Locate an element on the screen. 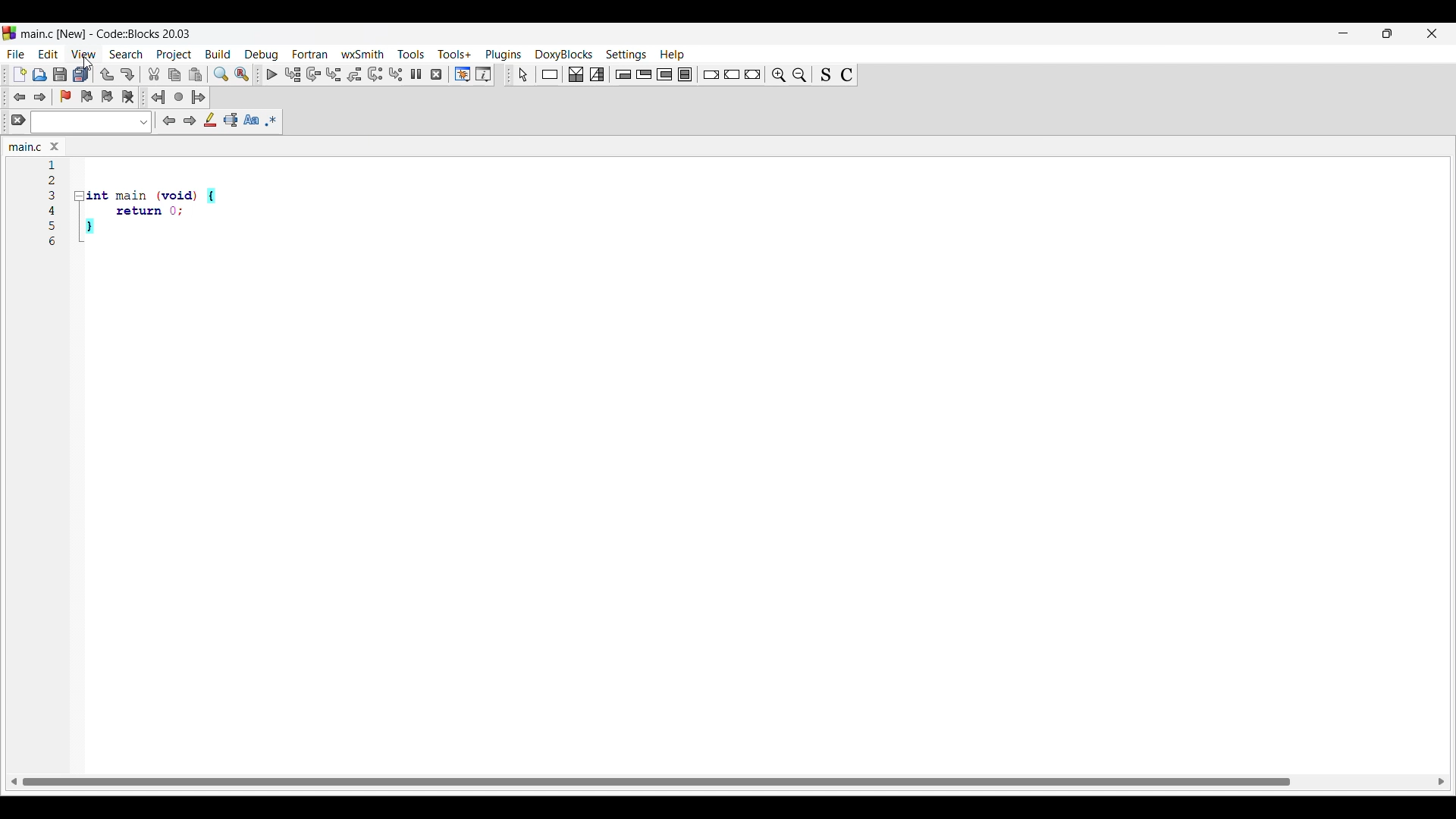 This screenshot has height=819, width=1456. Selected text is located at coordinates (231, 120).